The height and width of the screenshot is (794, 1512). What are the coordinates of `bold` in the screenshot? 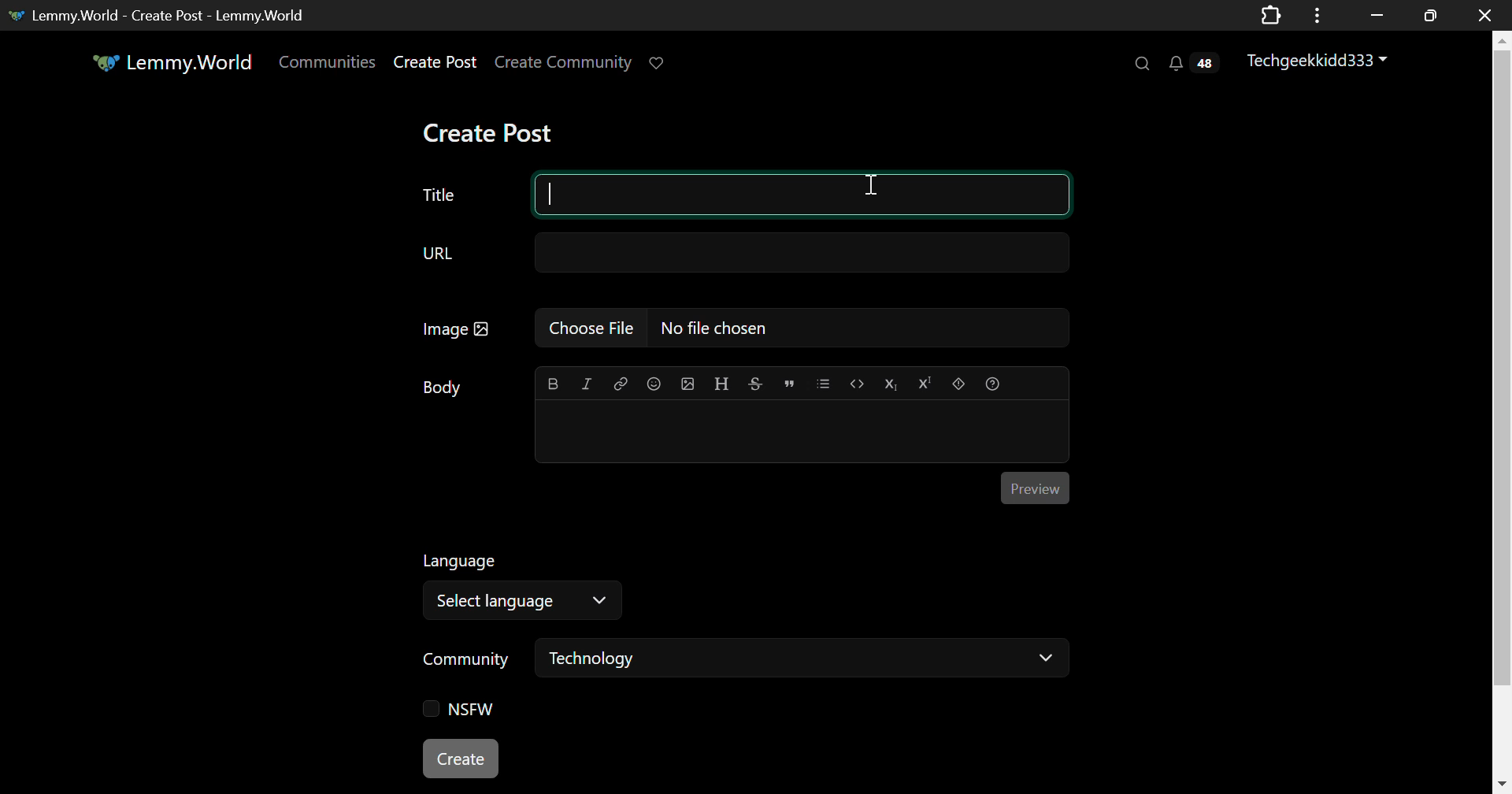 It's located at (554, 384).